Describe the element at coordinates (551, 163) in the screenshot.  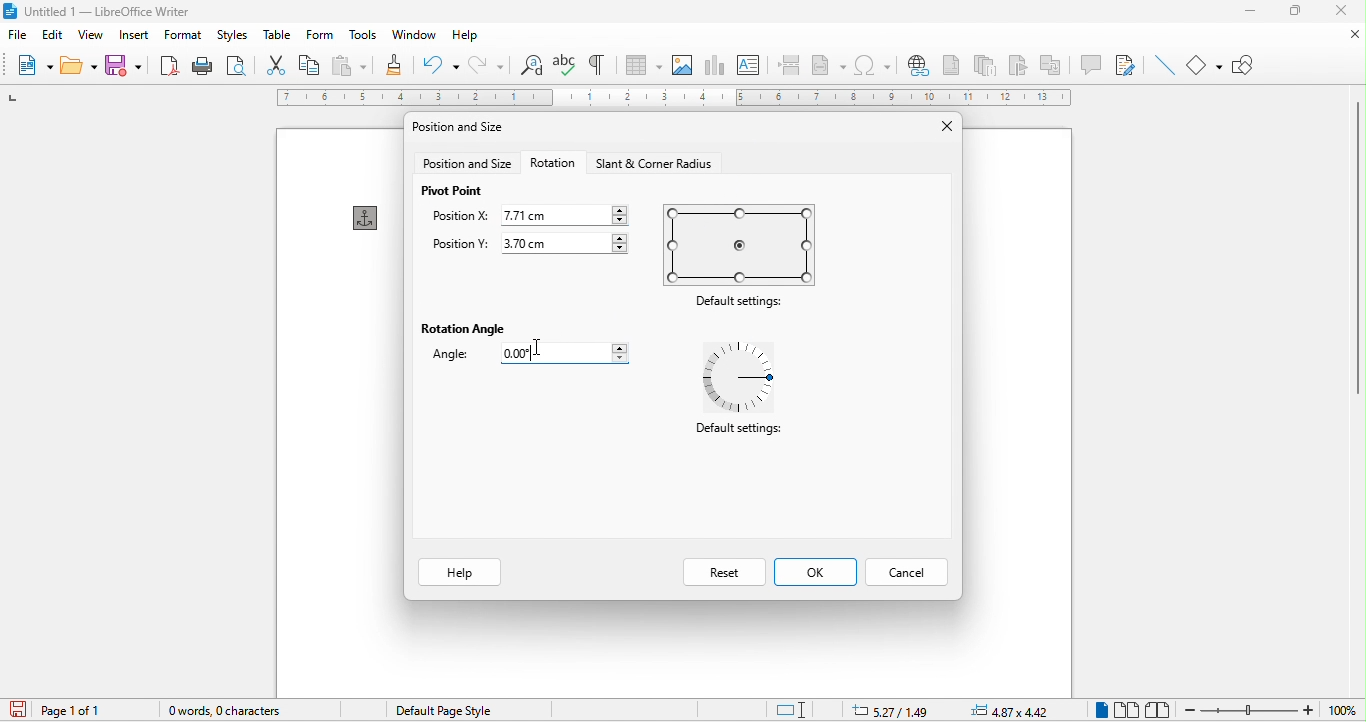
I see `rotation` at that location.